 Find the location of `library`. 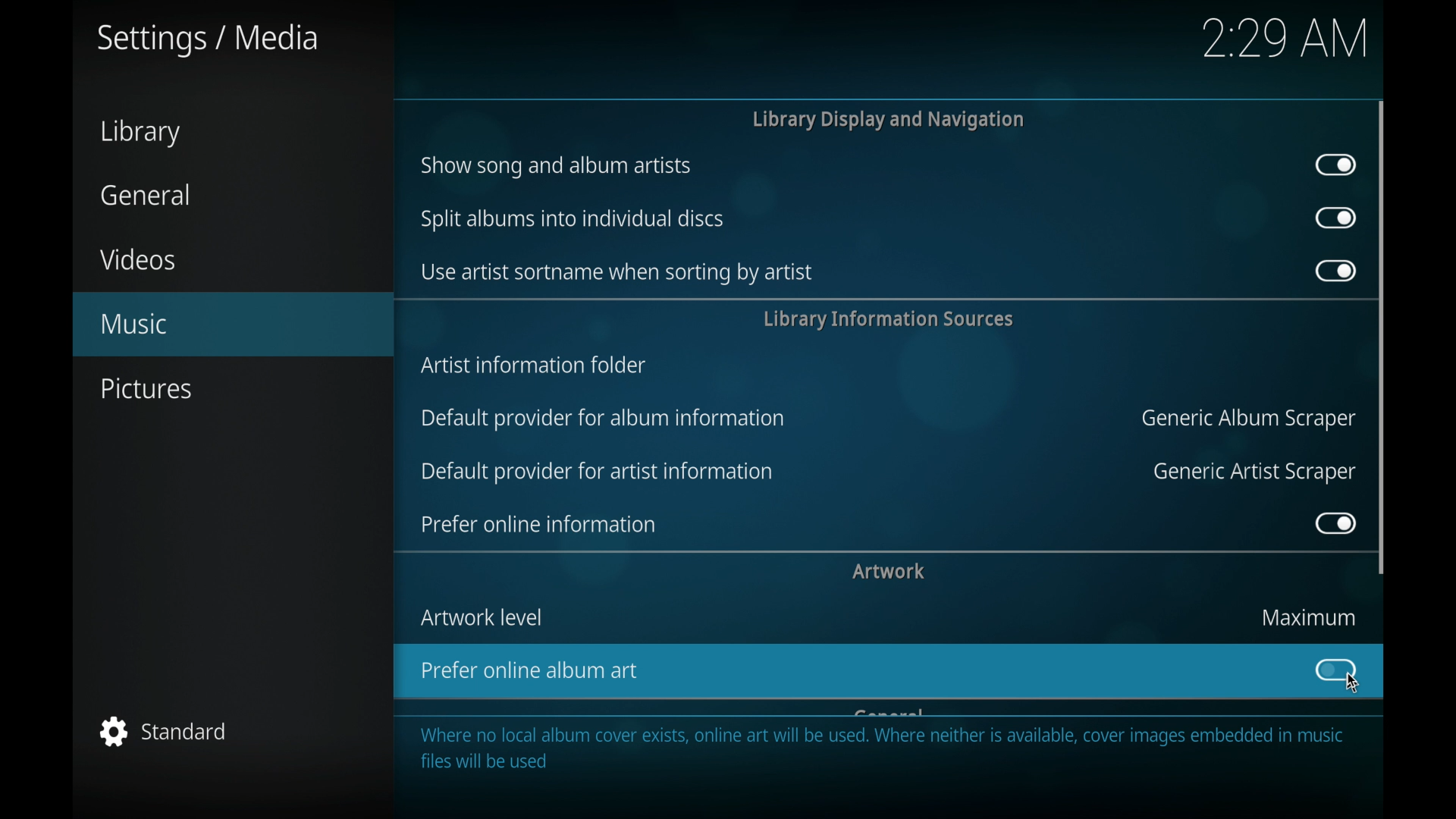

library is located at coordinates (140, 135).